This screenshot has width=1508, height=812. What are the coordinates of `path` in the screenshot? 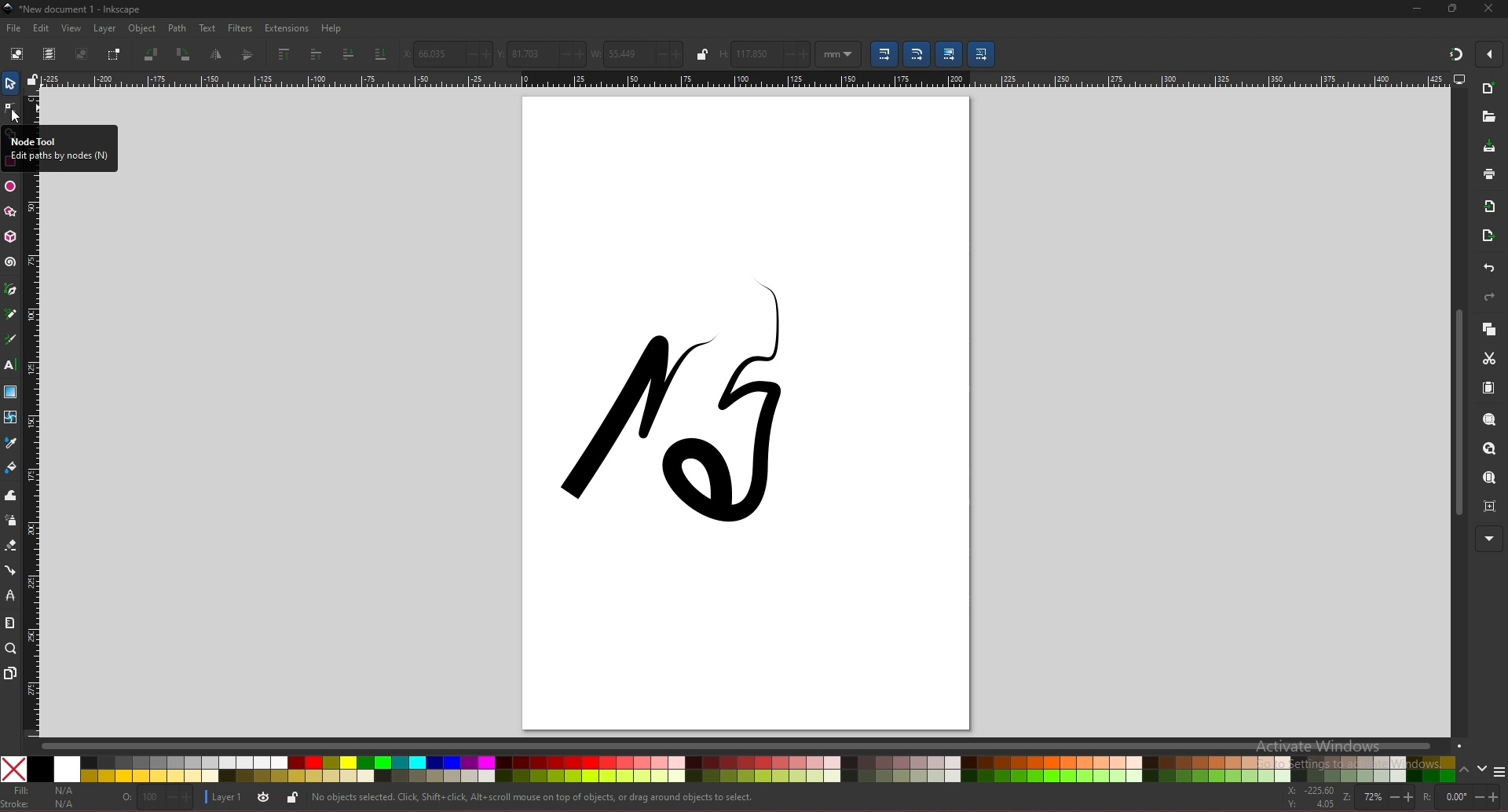 It's located at (178, 29).